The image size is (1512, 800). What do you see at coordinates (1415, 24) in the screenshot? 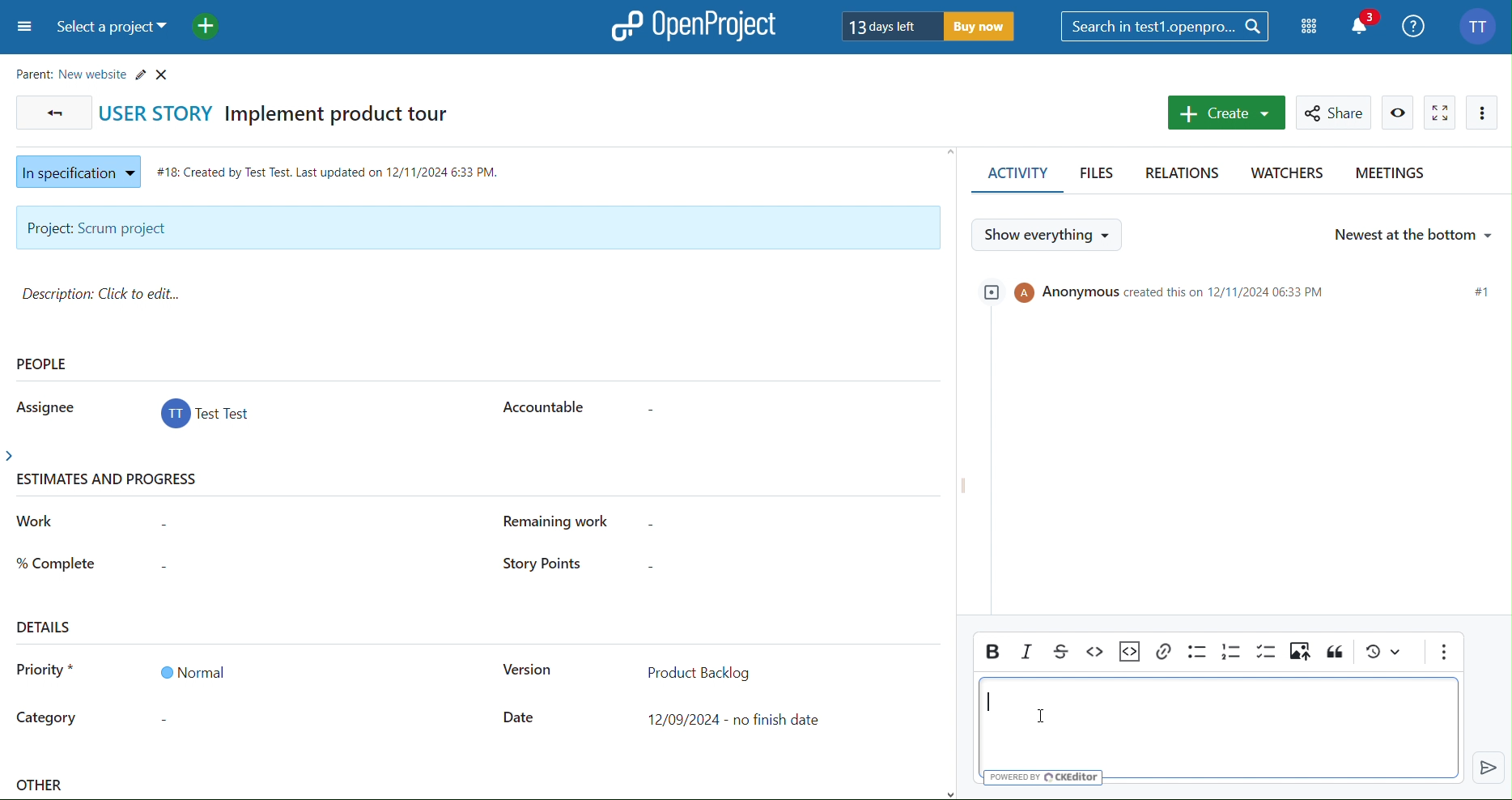
I see `Help` at bounding box center [1415, 24].